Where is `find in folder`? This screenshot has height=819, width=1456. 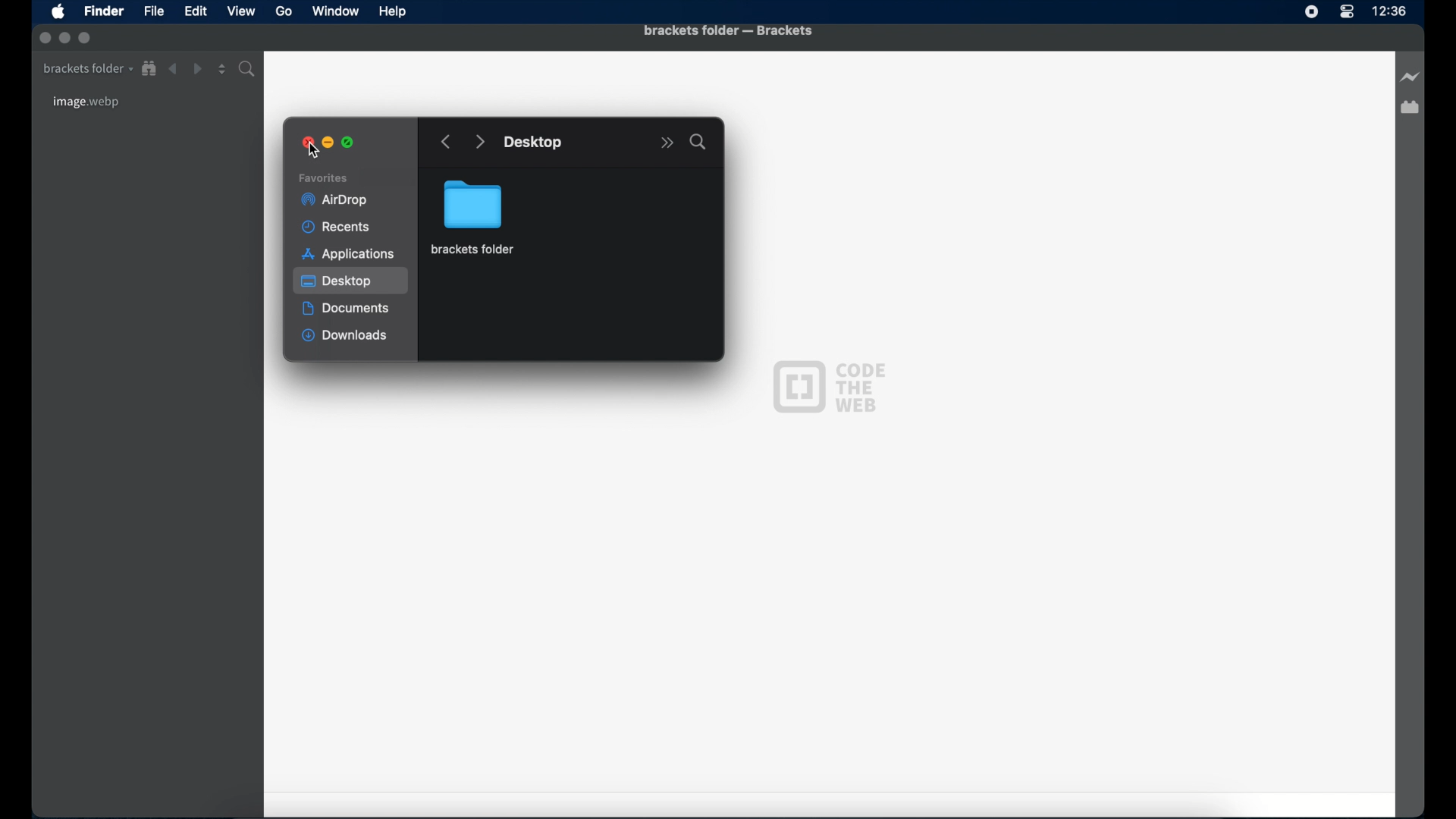
find in folder is located at coordinates (249, 69).